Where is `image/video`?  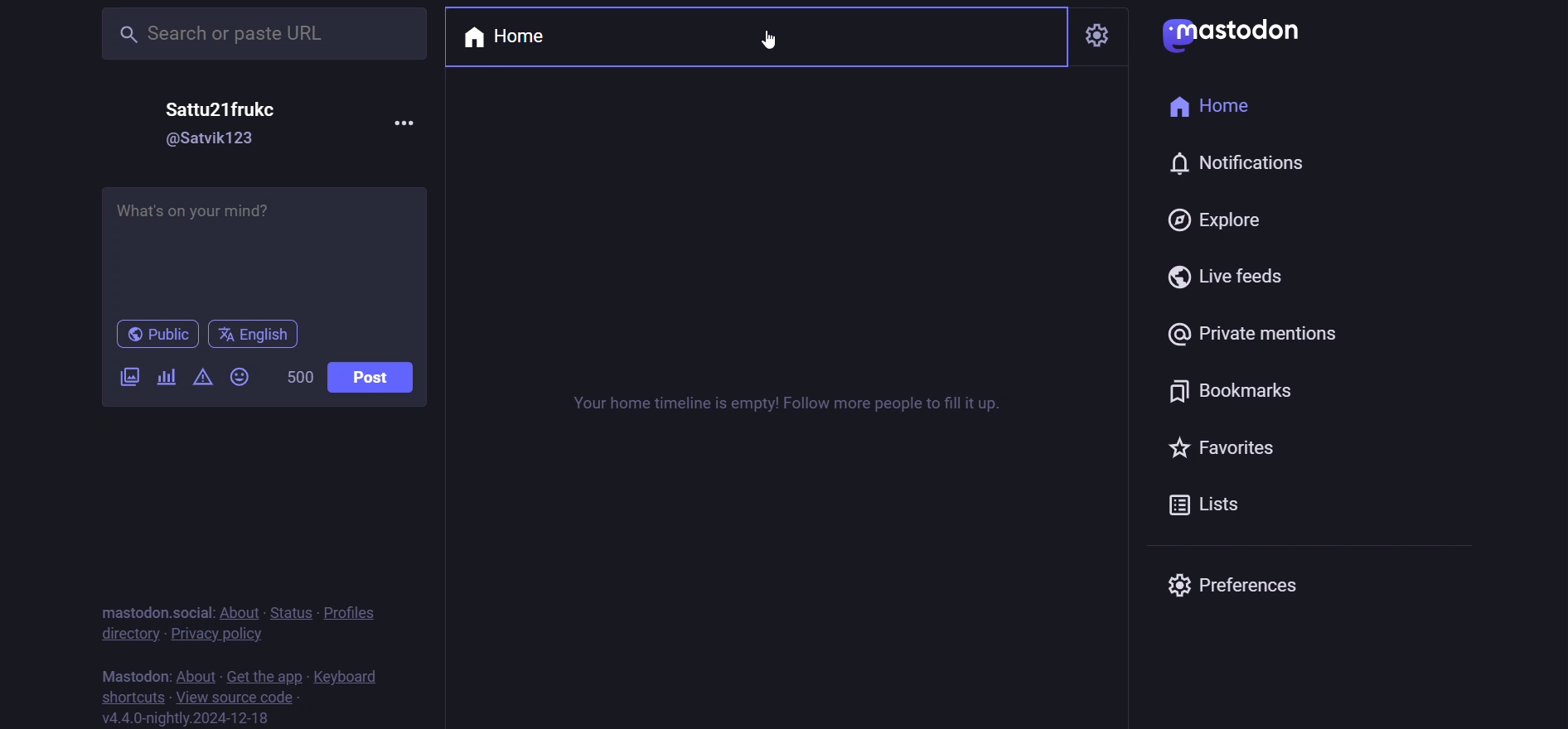
image/video is located at coordinates (129, 376).